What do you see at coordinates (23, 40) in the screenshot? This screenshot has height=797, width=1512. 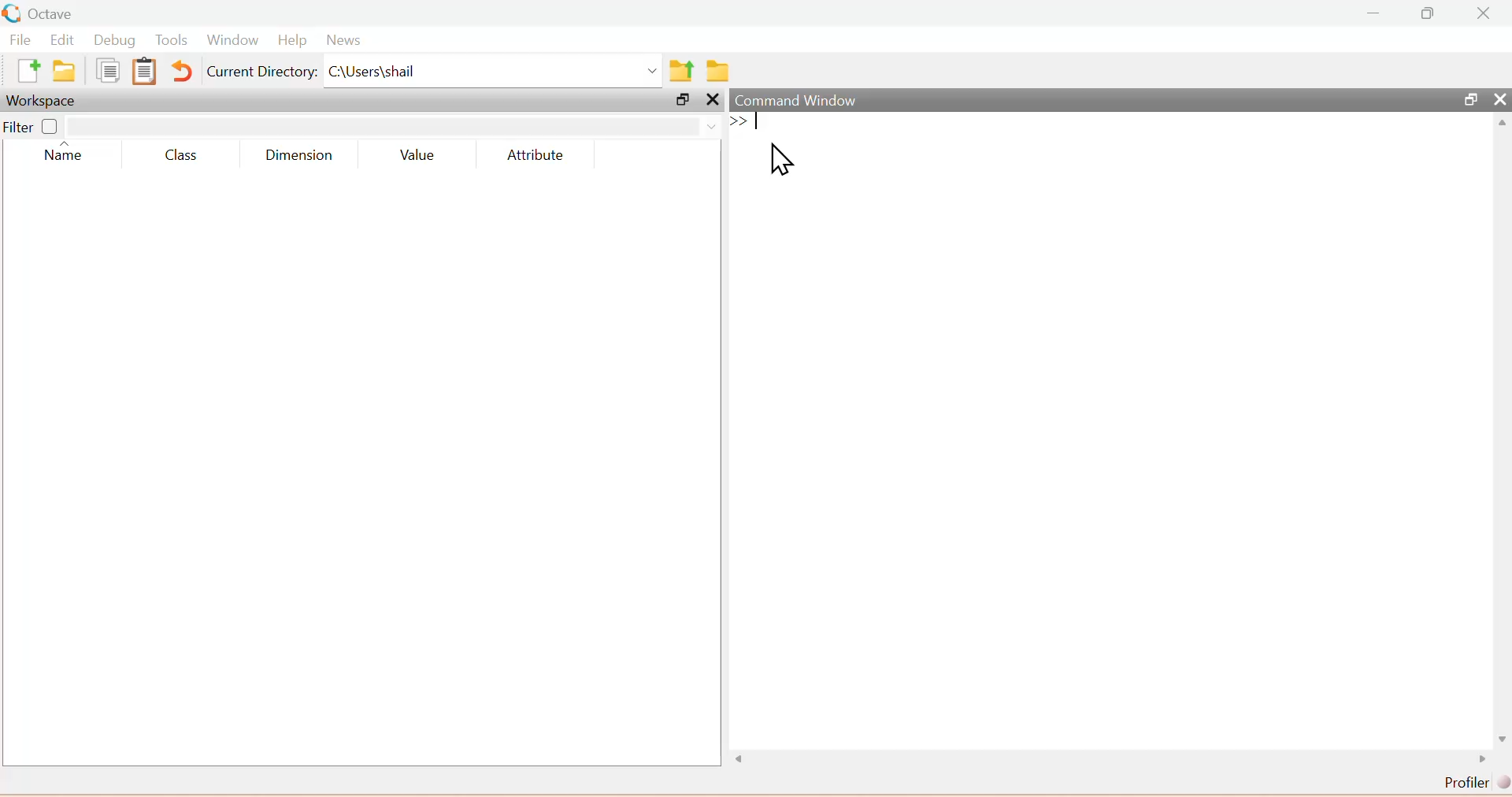 I see `File` at bounding box center [23, 40].